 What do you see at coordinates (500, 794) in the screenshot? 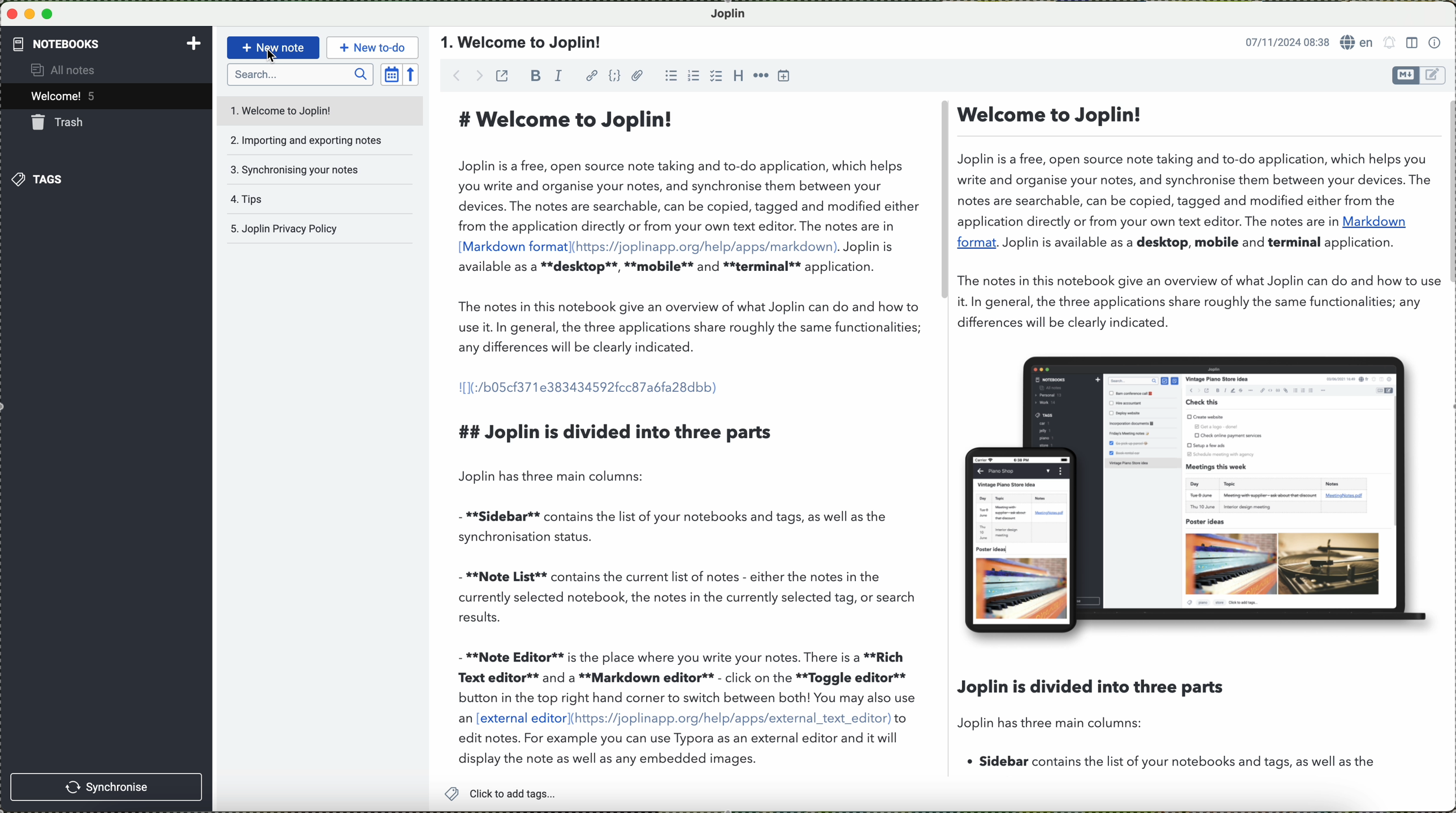
I see `add tags` at bounding box center [500, 794].